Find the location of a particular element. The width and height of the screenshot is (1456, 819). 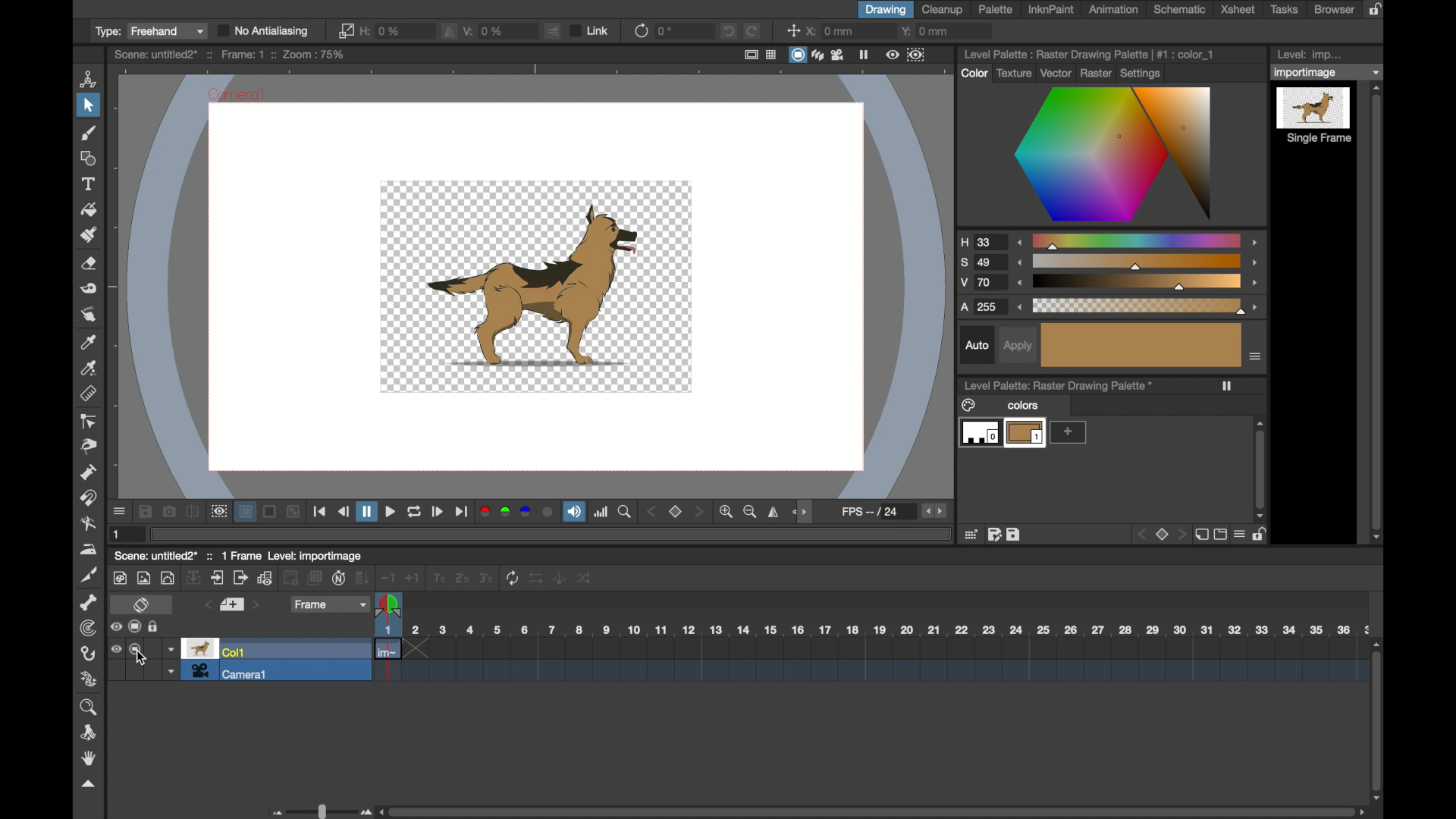

refresh is located at coordinates (511, 578).